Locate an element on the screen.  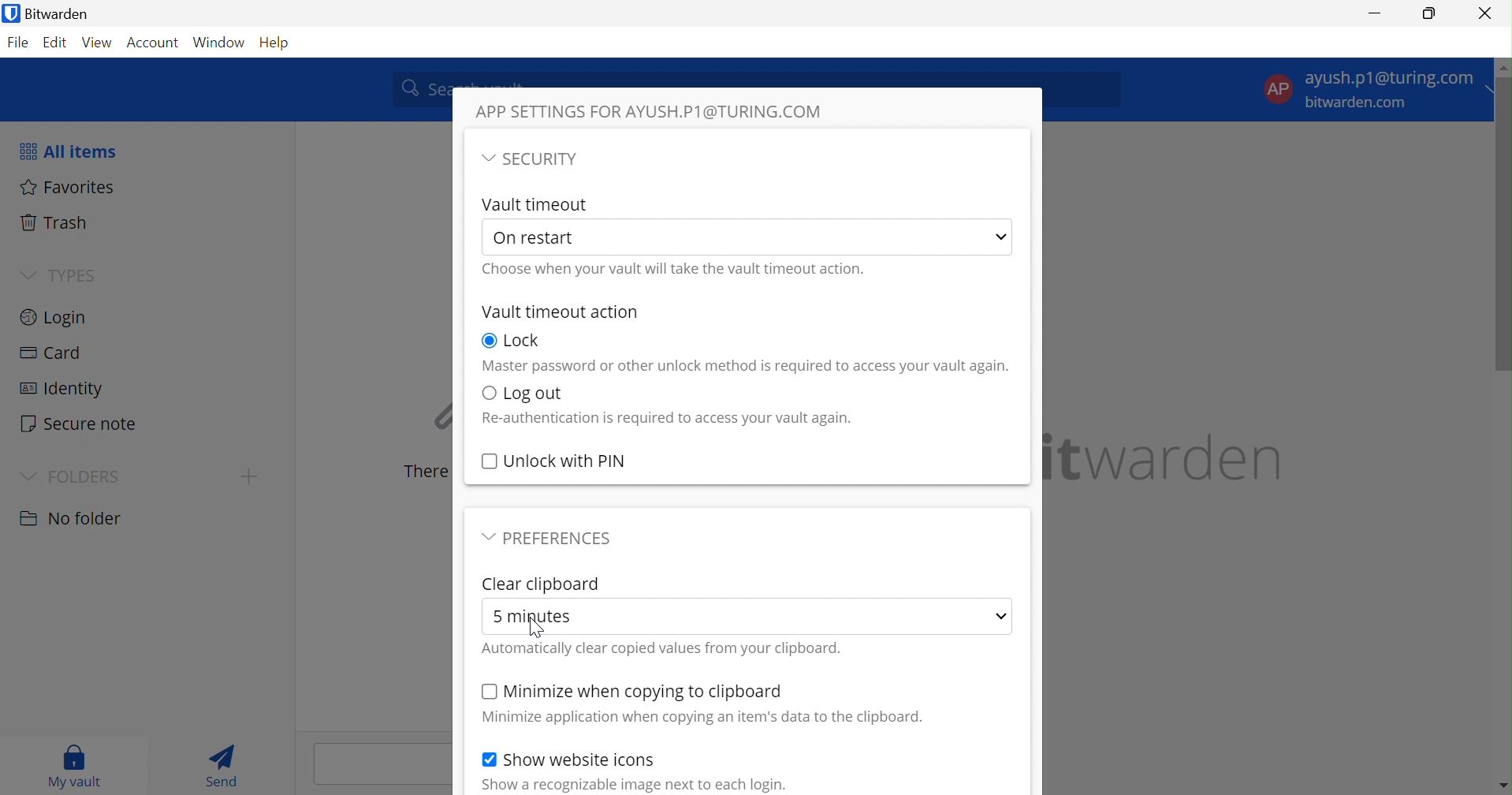
Checkbox is located at coordinates (488, 391).